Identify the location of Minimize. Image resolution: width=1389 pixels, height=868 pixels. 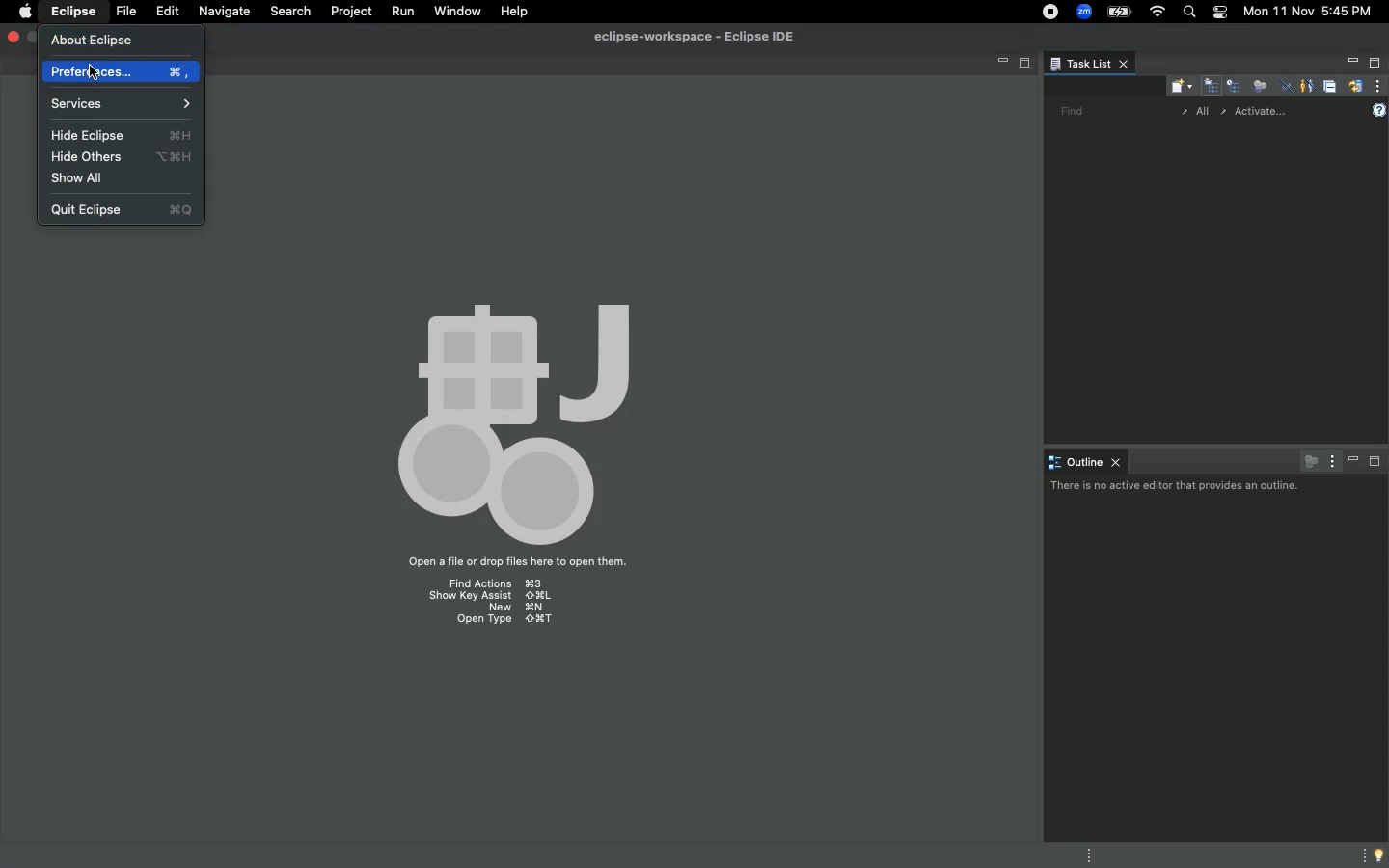
(1353, 461).